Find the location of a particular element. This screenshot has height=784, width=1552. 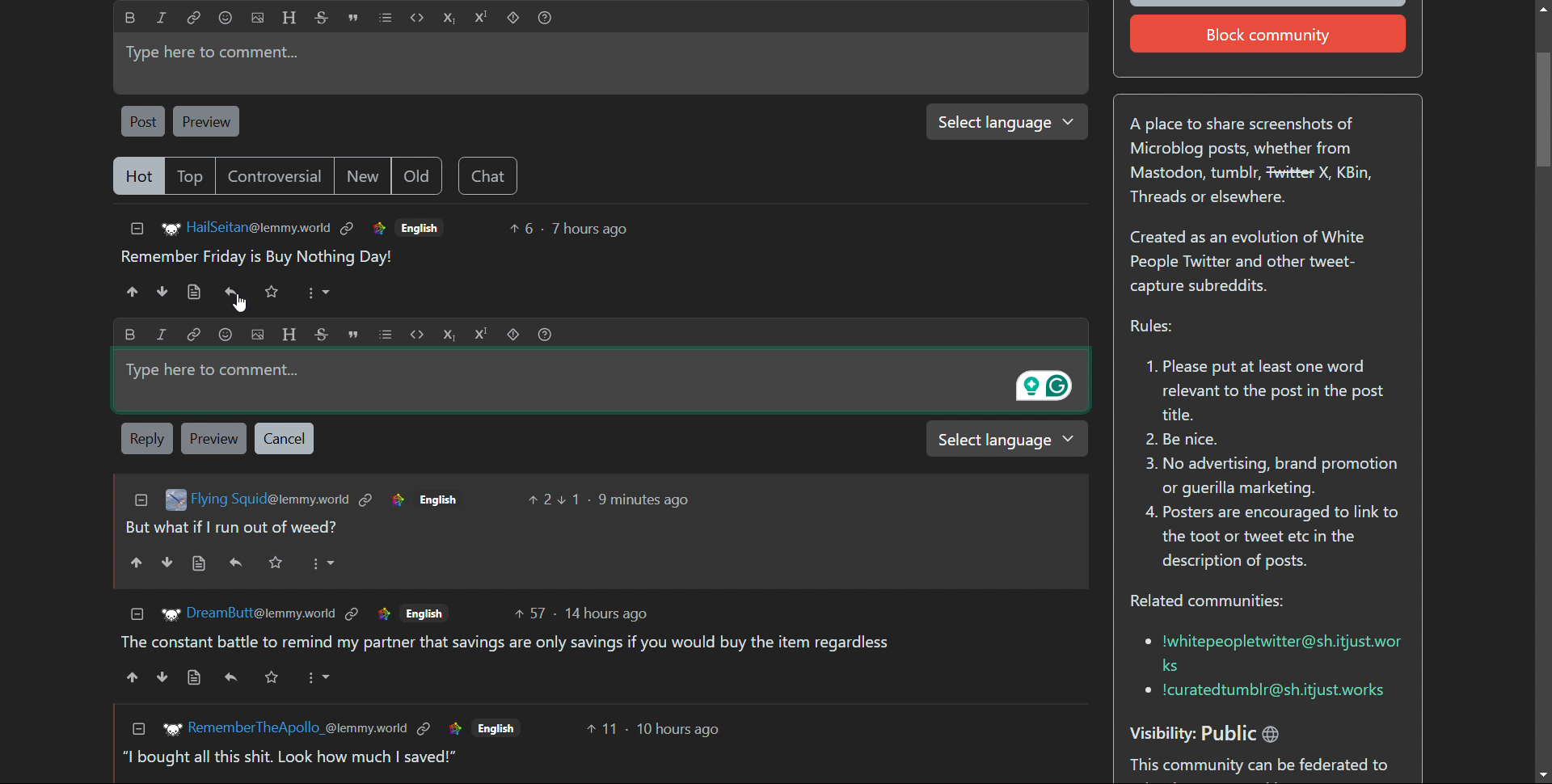

header is located at coordinates (286, 331).